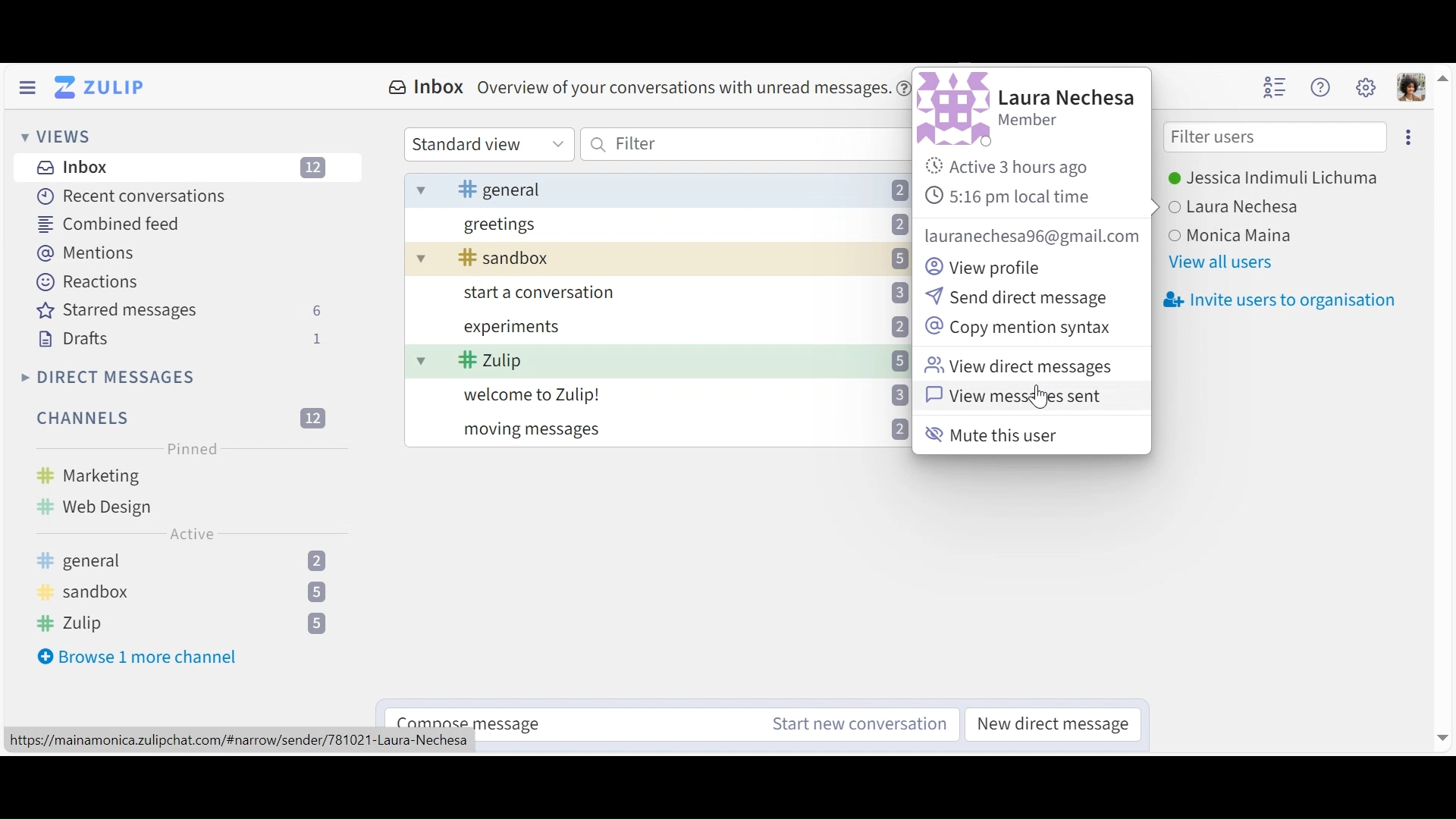 The width and height of the screenshot is (1456, 819). I want to click on url, so click(239, 742).